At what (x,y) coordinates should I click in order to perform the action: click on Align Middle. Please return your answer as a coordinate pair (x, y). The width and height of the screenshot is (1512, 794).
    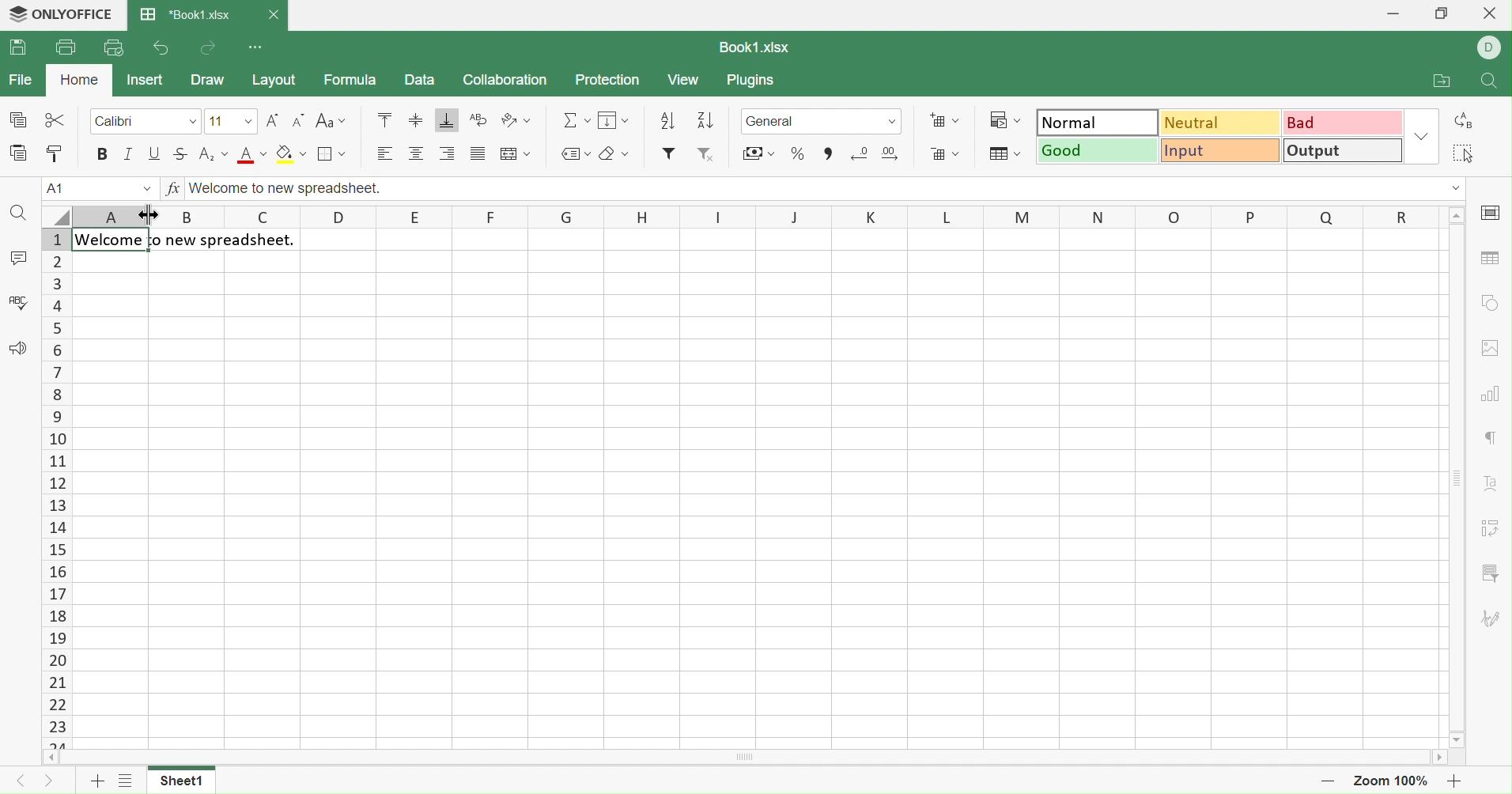
    Looking at the image, I should click on (415, 121).